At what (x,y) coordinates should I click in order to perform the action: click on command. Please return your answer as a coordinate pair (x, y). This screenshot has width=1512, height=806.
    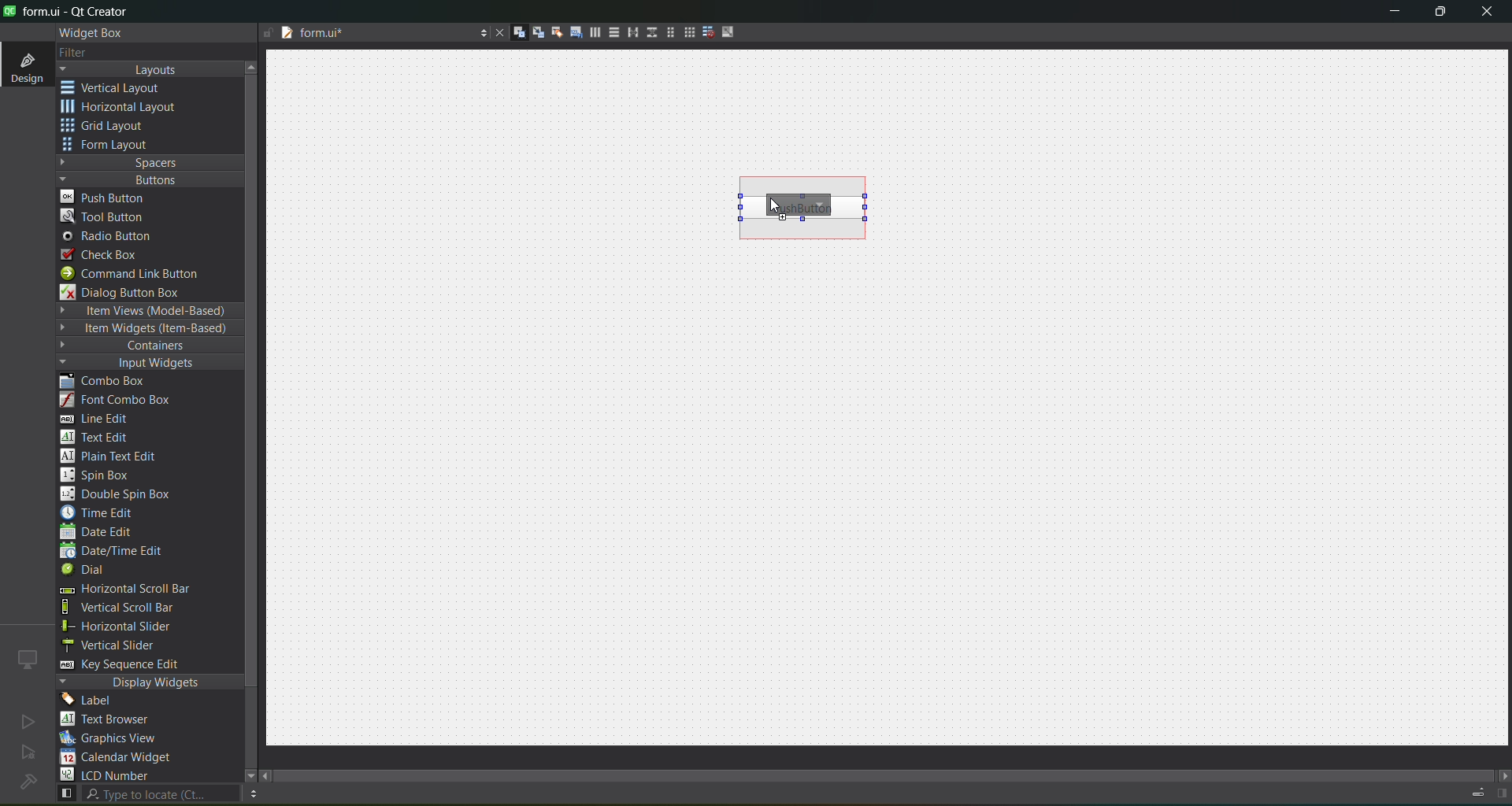
    Looking at the image, I should click on (140, 275).